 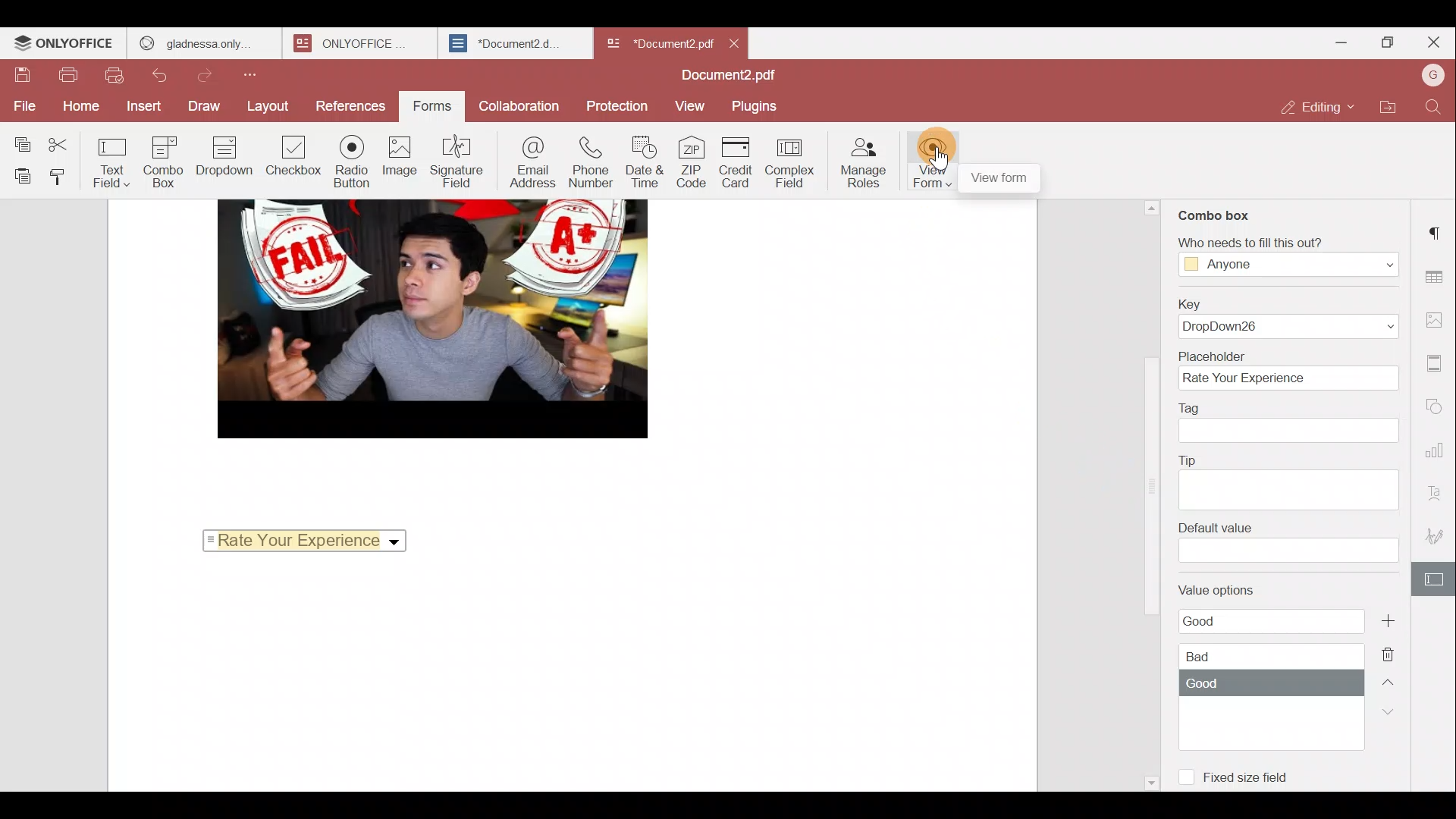 What do you see at coordinates (692, 164) in the screenshot?
I see `ZIP code` at bounding box center [692, 164].